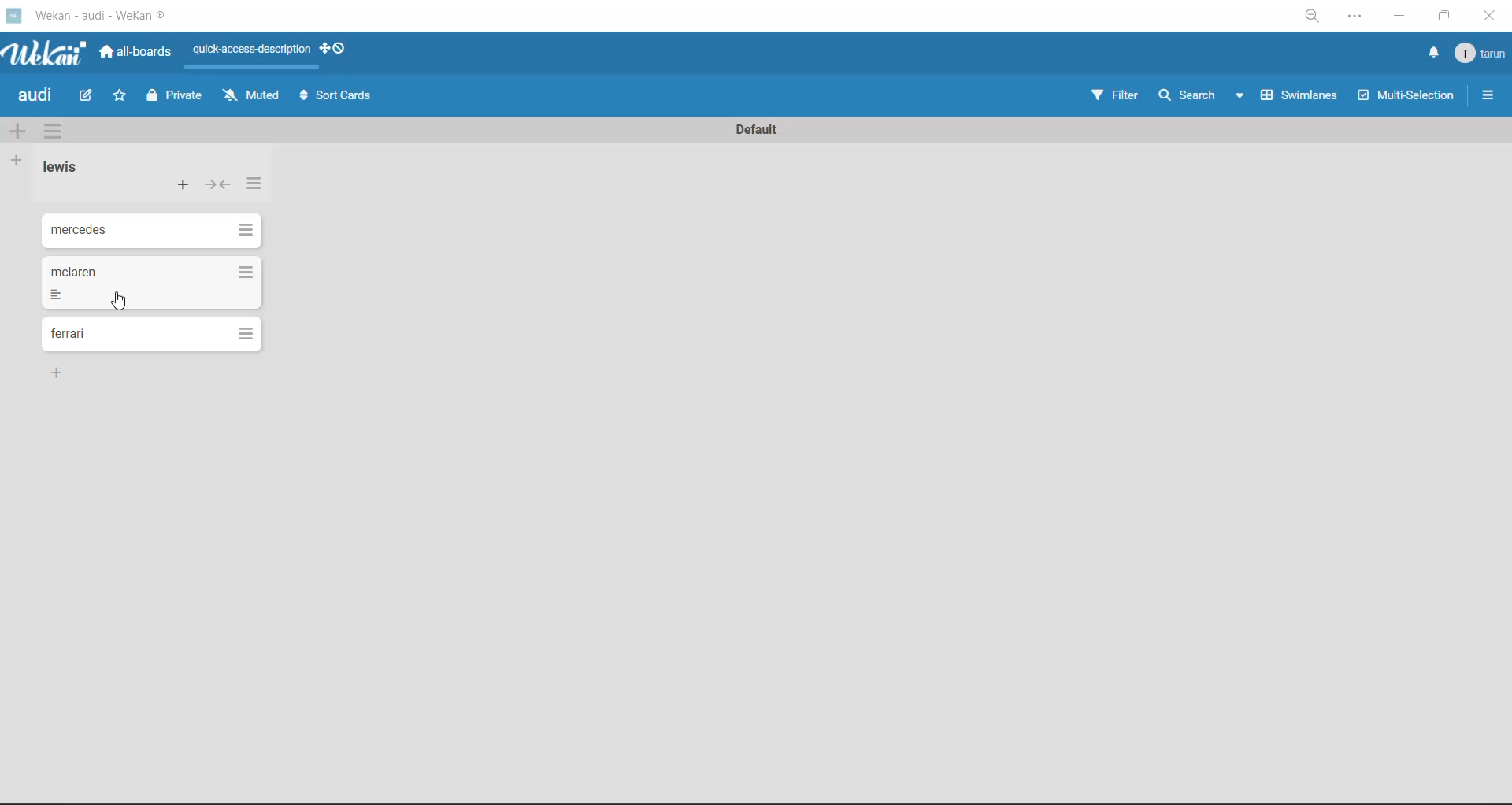 The width and height of the screenshot is (1512, 805). What do you see at coordinates (335, 99) in the screenshot?
I see `sort cards` at bounding box center [335, 99].